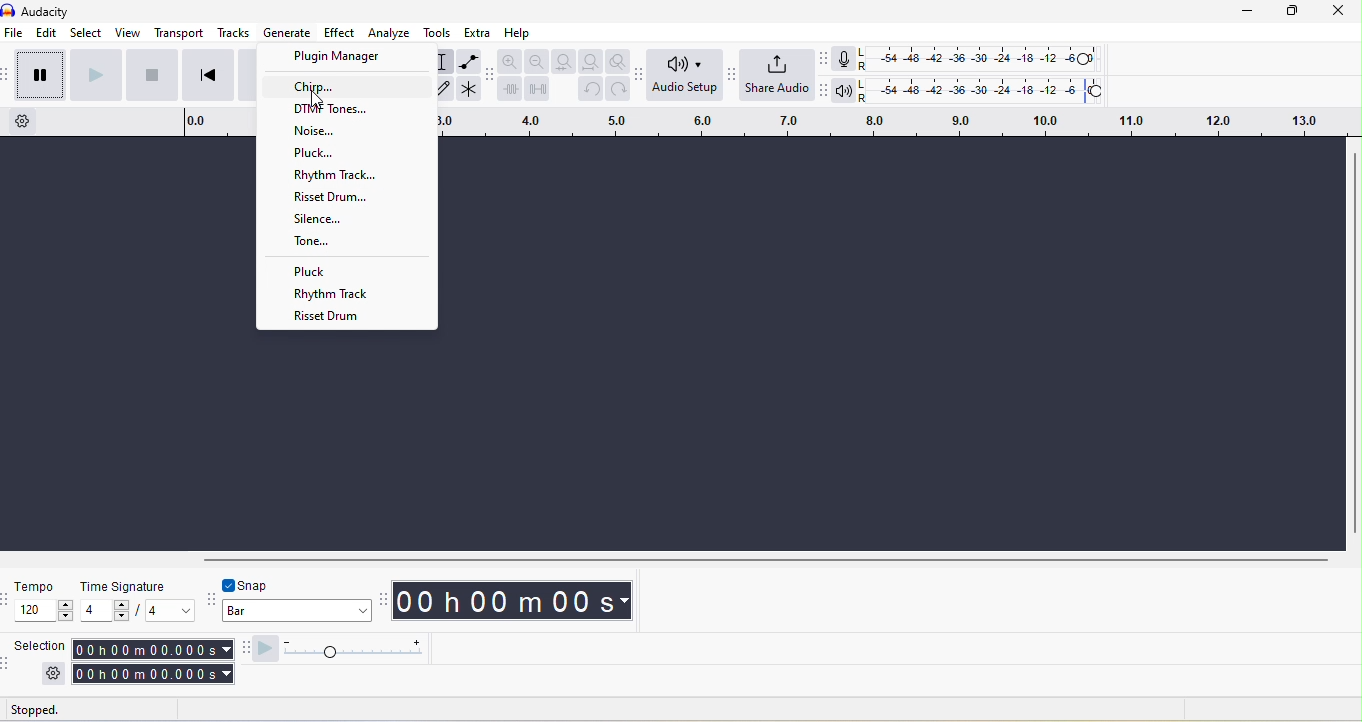 This screenshot has width=1362, height=722. Describe the element at coordinates (39, 645) in the screenshot. I see `selection` at that location.